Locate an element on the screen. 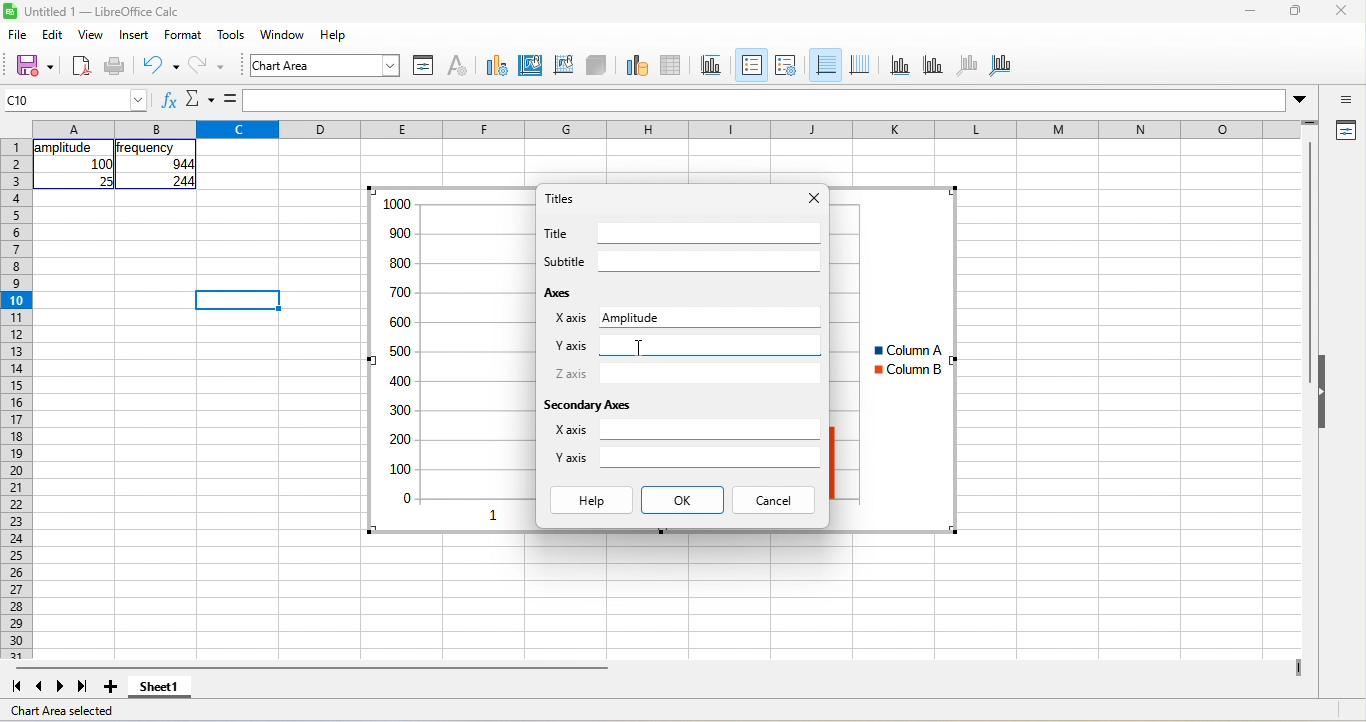  help is located at coordinates (592, 500).